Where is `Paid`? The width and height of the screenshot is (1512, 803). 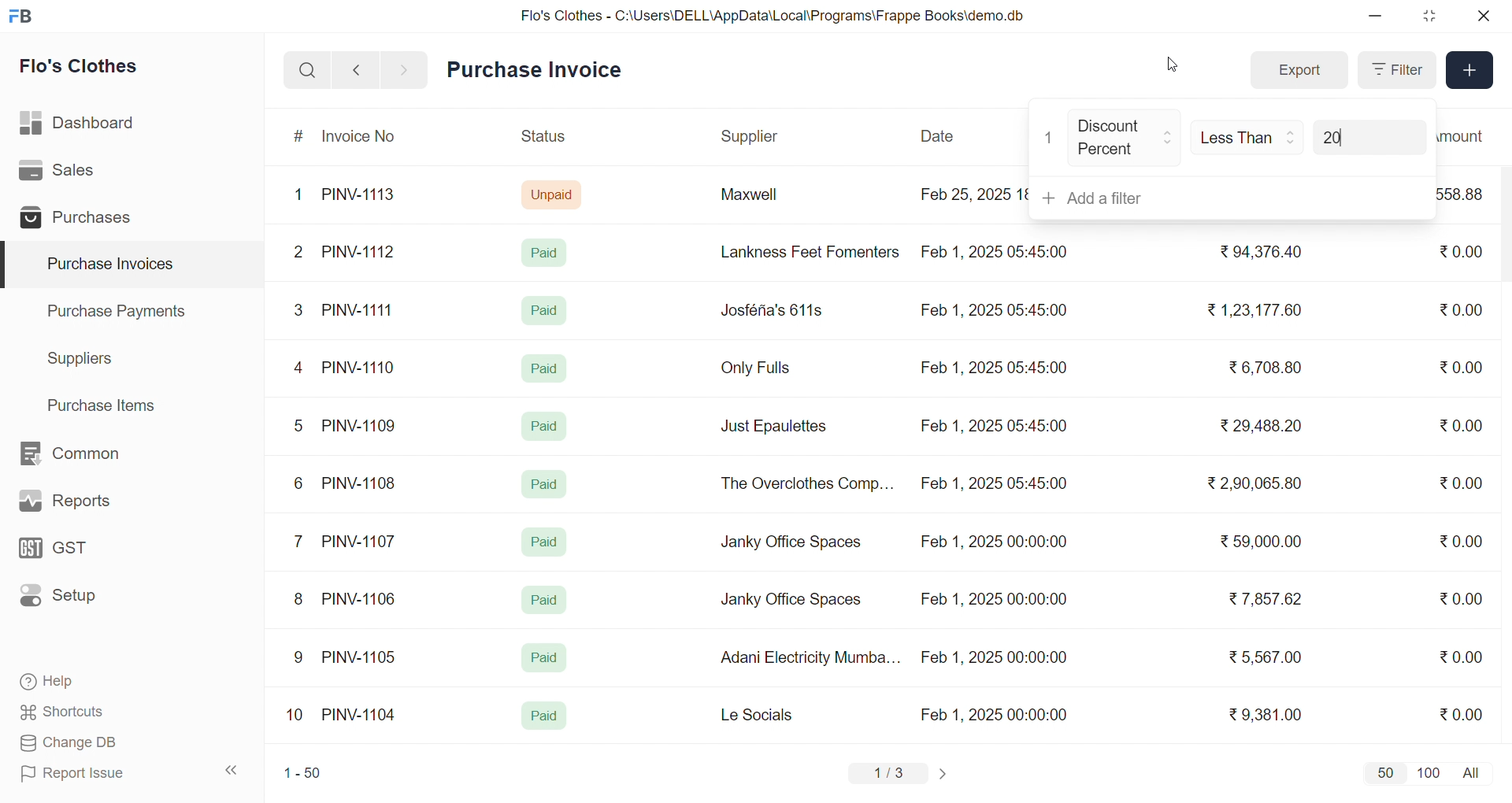
Paid is located at coordinates (545, 310).